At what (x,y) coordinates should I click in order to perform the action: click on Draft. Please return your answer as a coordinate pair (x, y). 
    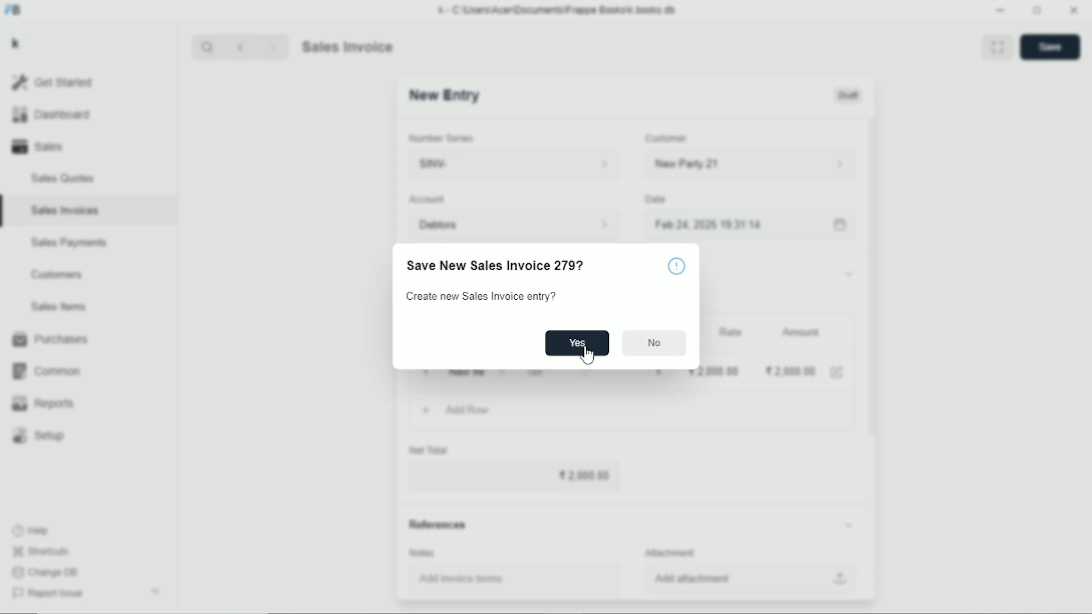
    Looking at the image, I should click on (848, 95).